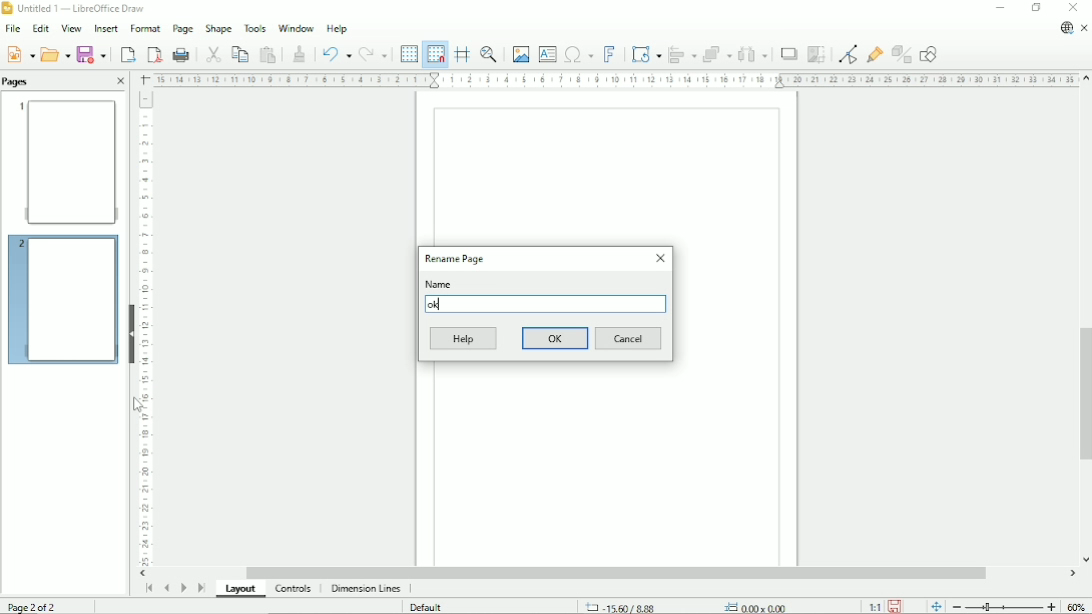 The height and width of the screenshot is (614, 1092). I want to click on Insert special character, so click(578, 53).